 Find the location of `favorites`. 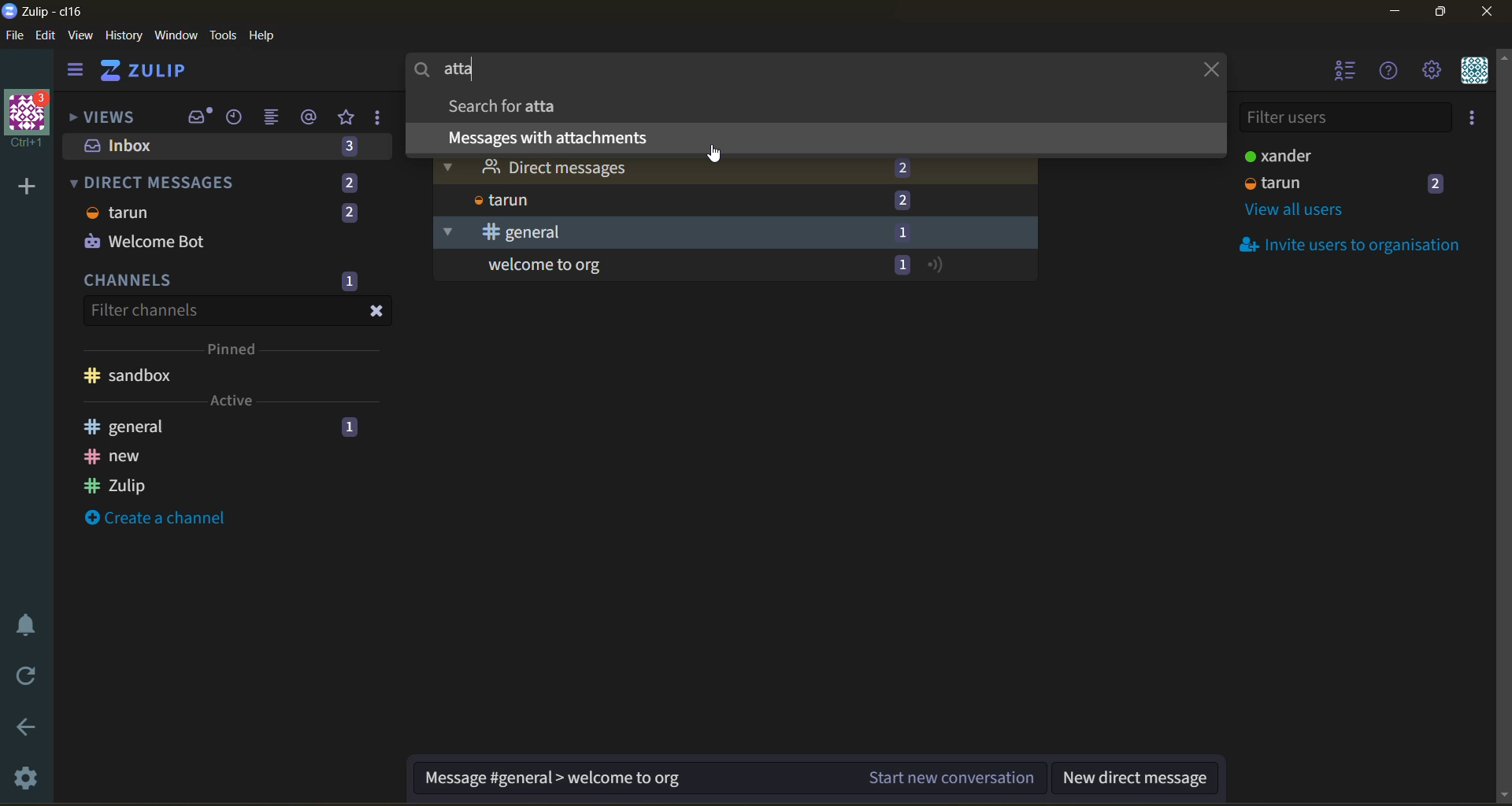

favorites is located at coordinates (348, 118).